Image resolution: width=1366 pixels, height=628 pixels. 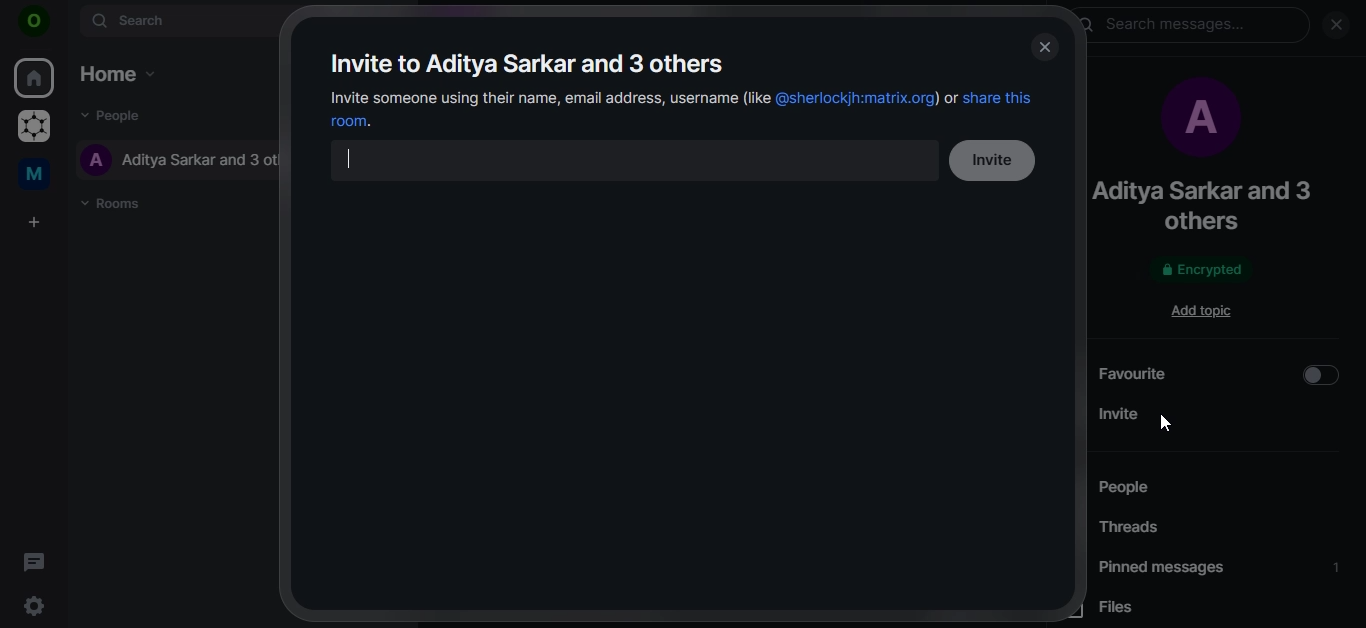 What do you see at coordinates (530, 64) in the screenshot?
I see `invite to aditya sarkar and 3 others` at bounding box center [530, 64].